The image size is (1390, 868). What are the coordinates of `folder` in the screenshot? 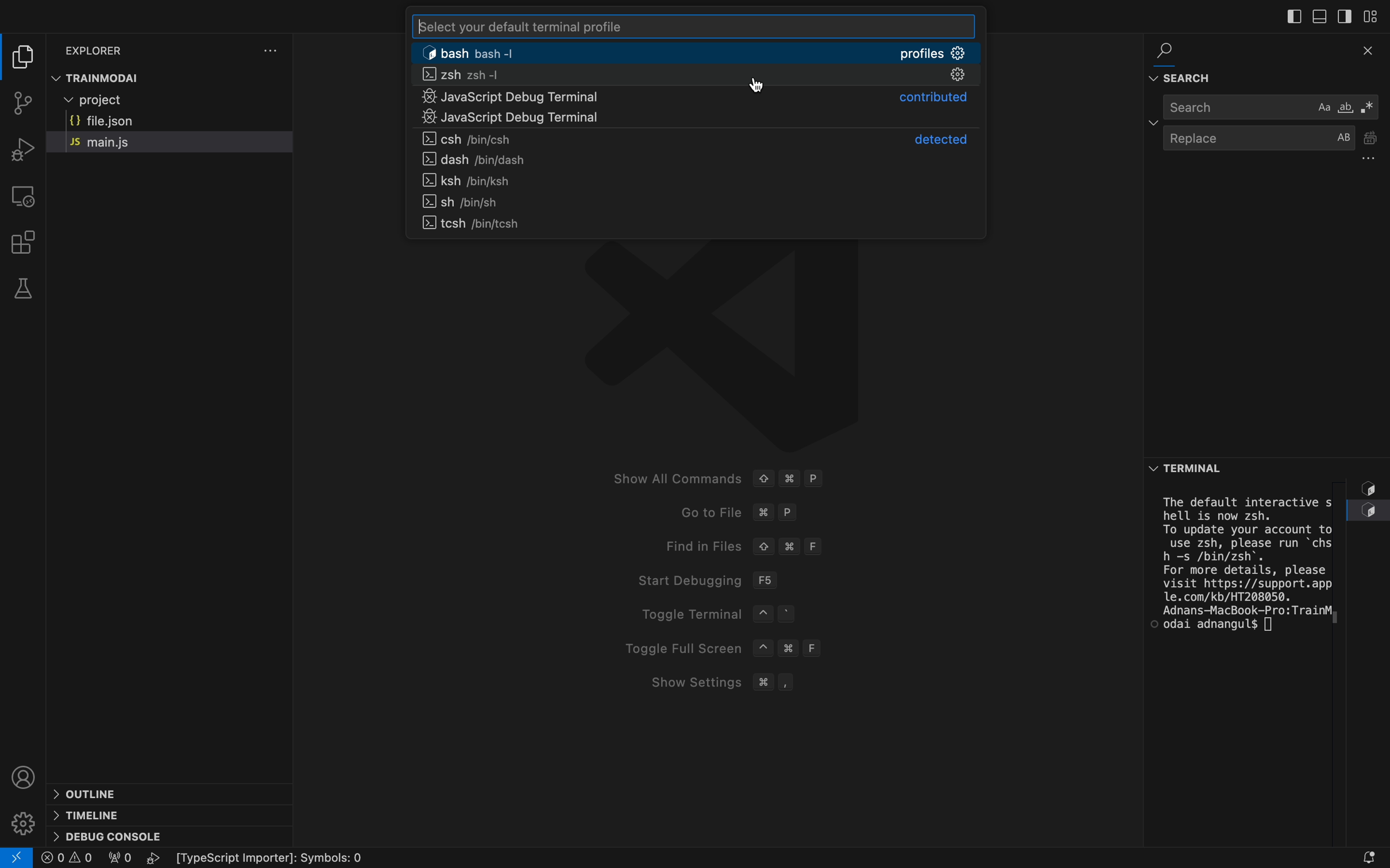 It's located at (23, 56).